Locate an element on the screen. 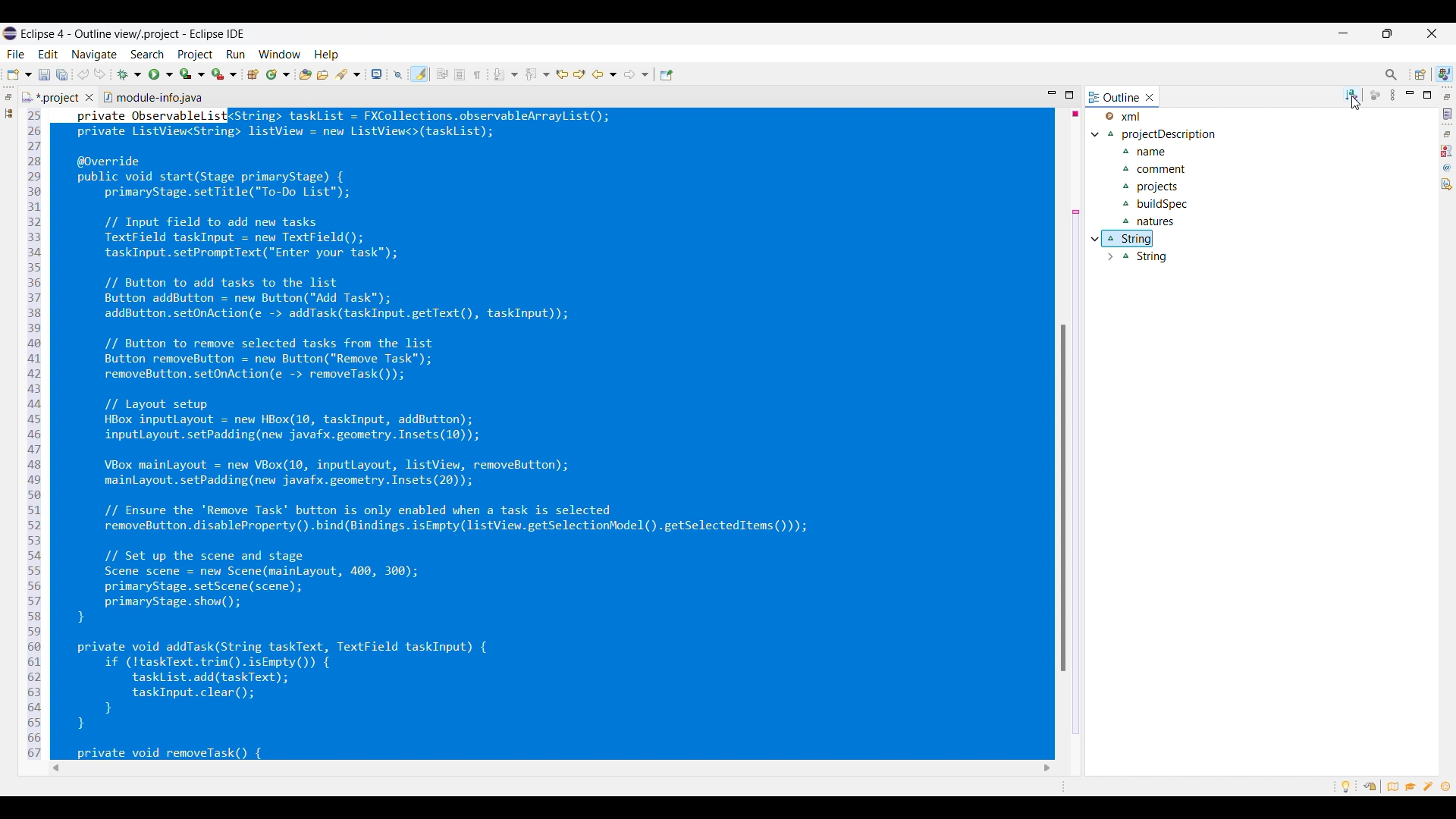  Window menu is located at coordinates (280, 54).